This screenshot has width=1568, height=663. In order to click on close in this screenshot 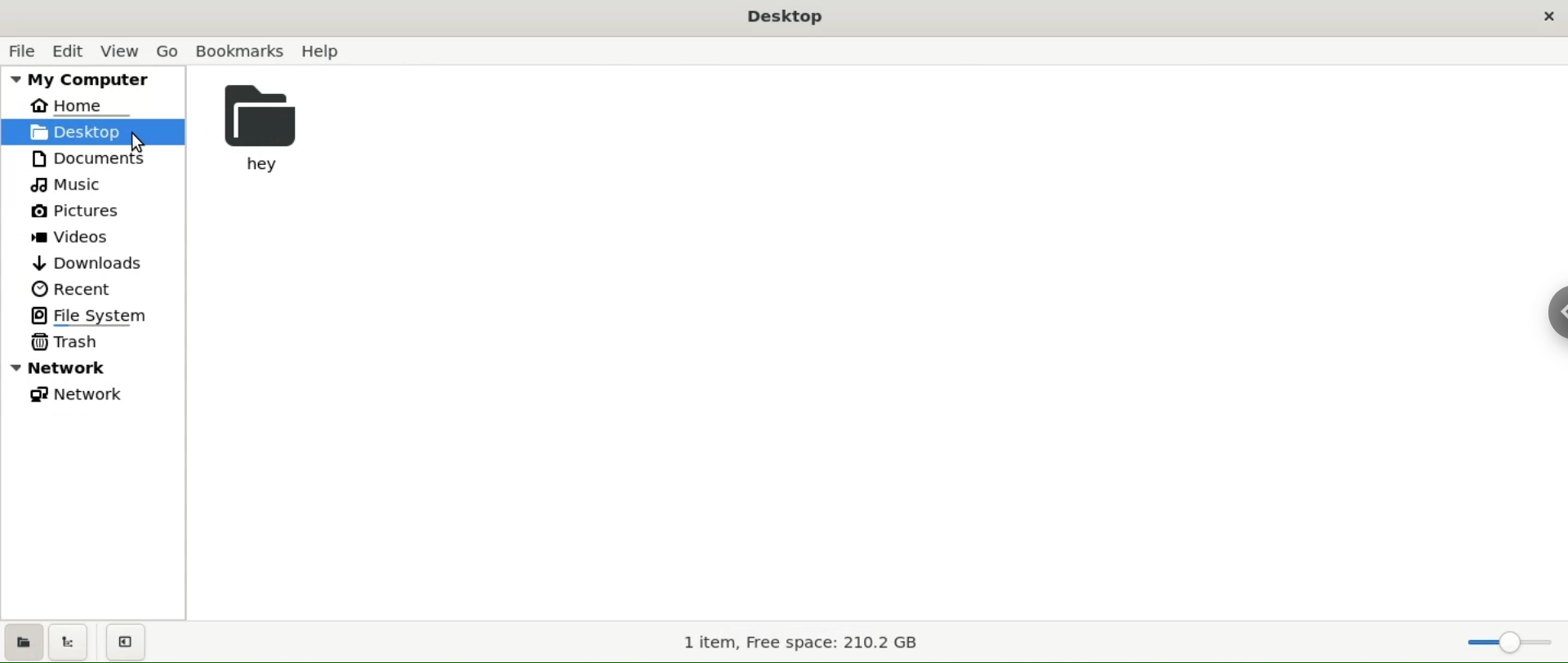, I will do `click(1546, 20)`.